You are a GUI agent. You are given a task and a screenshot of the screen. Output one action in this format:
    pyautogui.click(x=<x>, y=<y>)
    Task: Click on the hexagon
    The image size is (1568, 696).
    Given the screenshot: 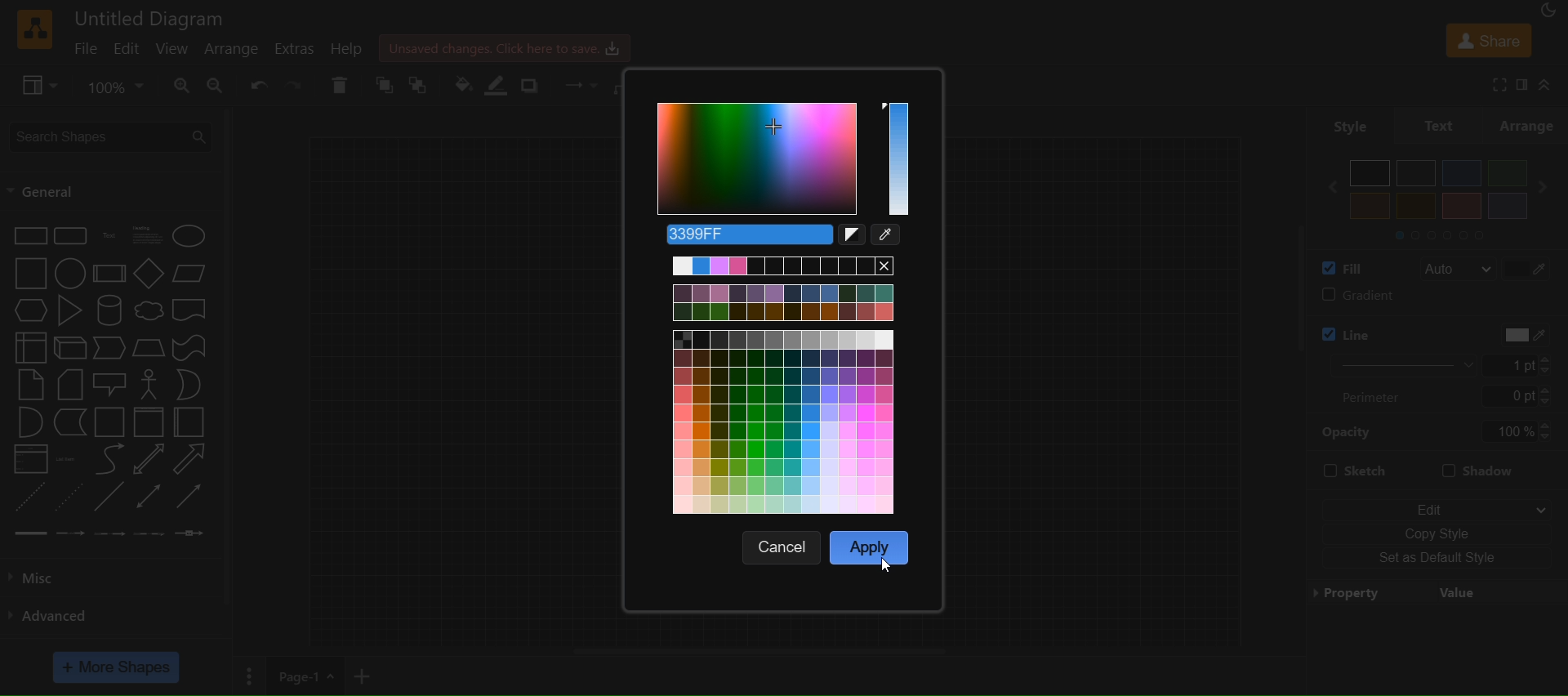 What is the action you would take?
    pyautogui.click(x=33, y=310)
    